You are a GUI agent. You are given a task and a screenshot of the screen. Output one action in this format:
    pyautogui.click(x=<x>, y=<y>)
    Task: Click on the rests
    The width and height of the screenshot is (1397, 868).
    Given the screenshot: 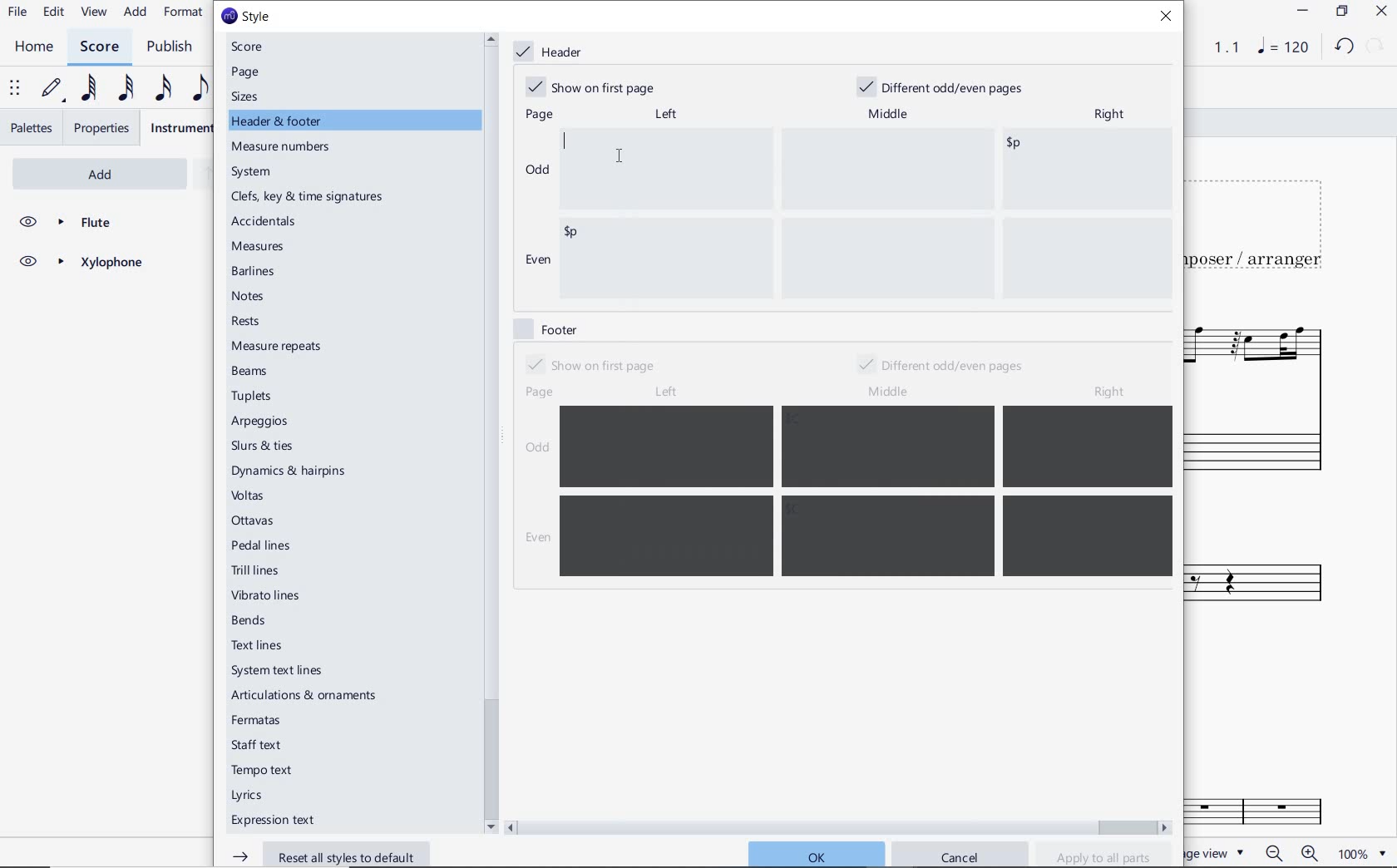 What is the action you would take?
    pyautogui.click(x=261, y=322)
    